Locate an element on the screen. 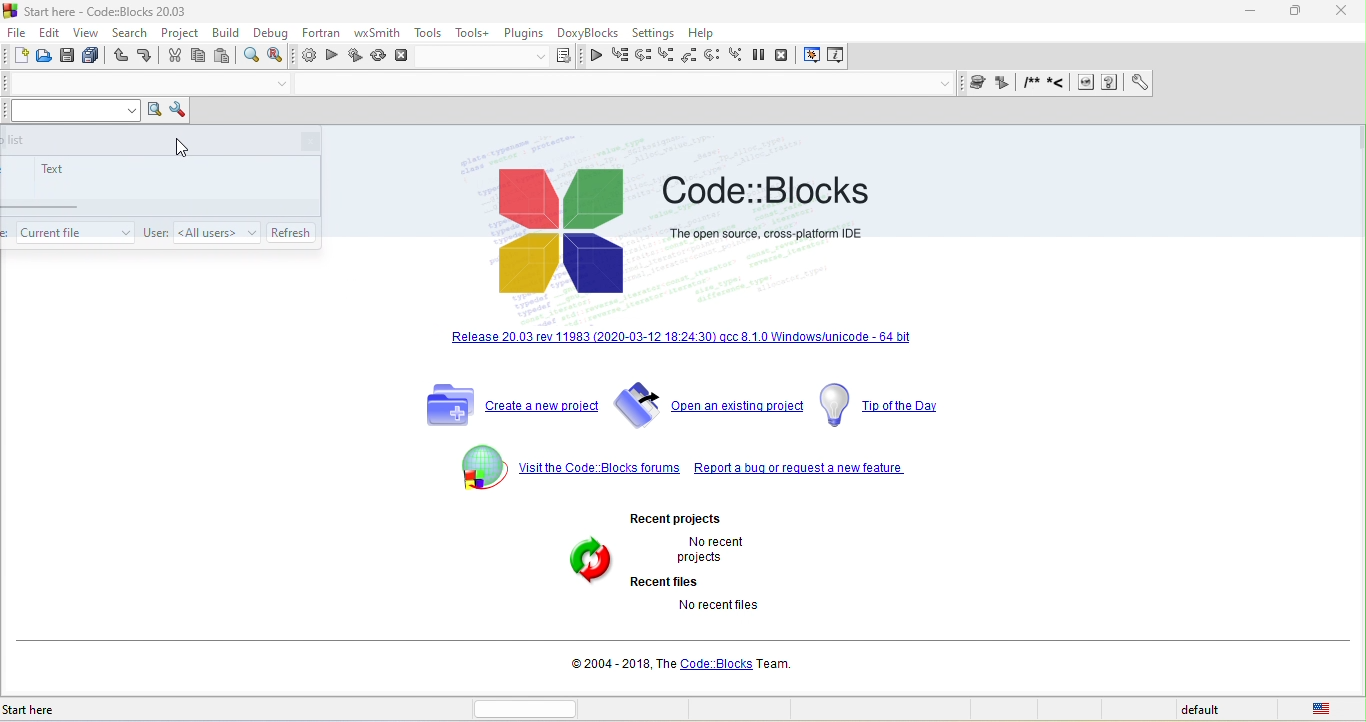 Image resolution: width=1366 pixels, height=722 pixels. search is located at coordinates (130, 35).